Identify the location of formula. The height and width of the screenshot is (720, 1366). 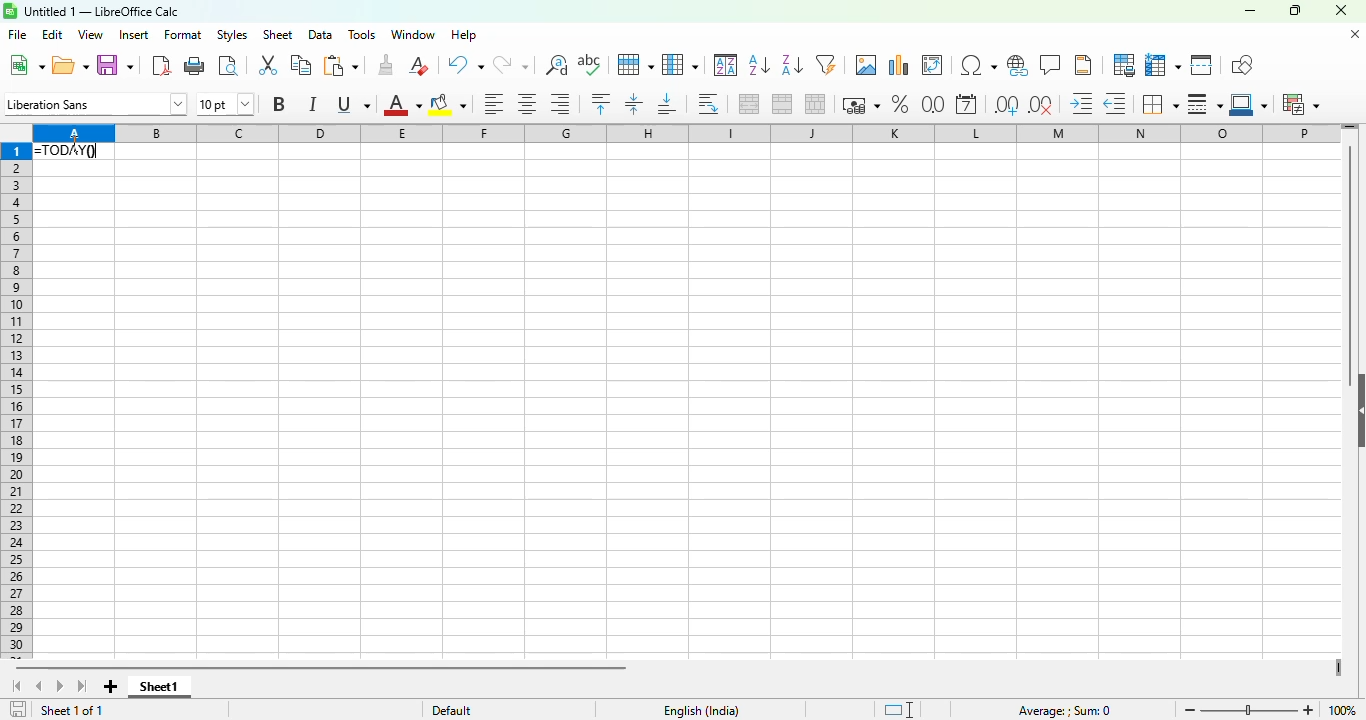
(1064, 711).